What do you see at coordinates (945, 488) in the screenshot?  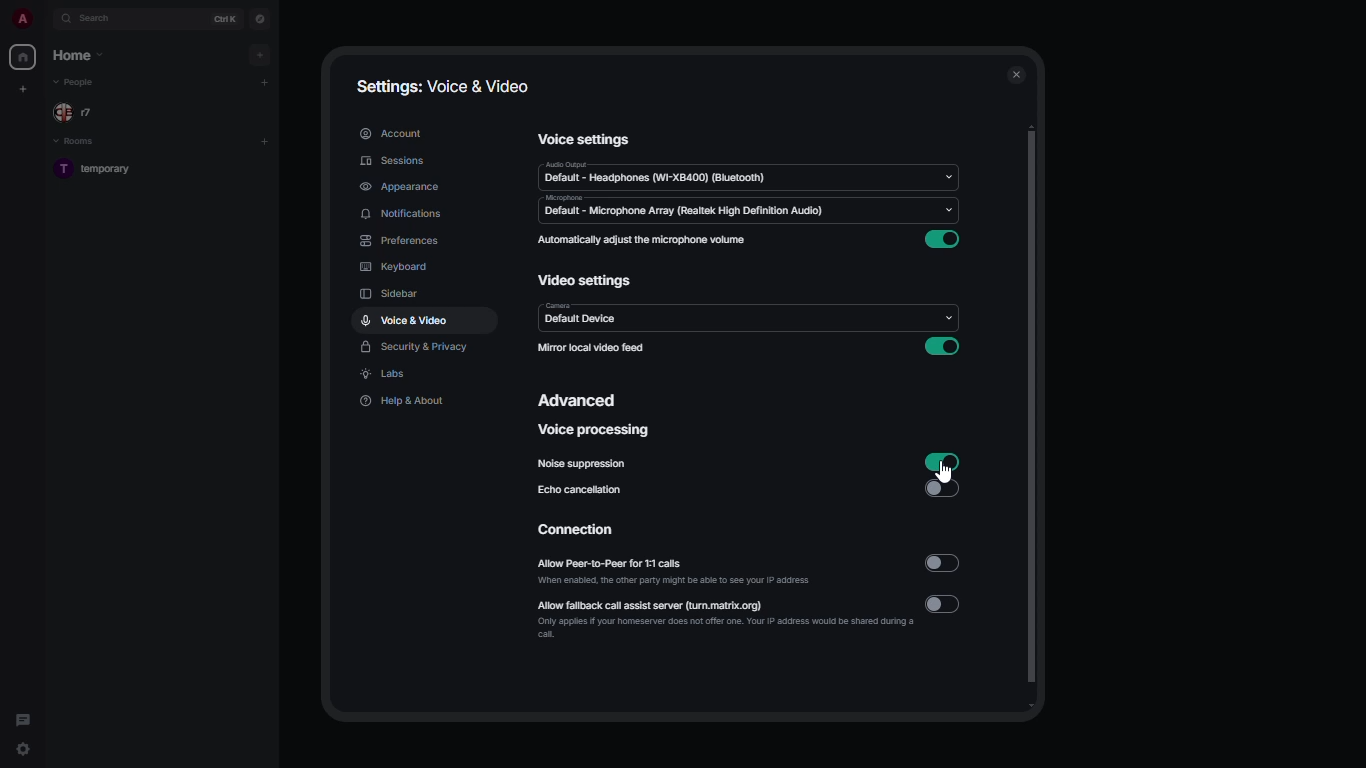 I see `disabled` at bounding box center [945, 488].